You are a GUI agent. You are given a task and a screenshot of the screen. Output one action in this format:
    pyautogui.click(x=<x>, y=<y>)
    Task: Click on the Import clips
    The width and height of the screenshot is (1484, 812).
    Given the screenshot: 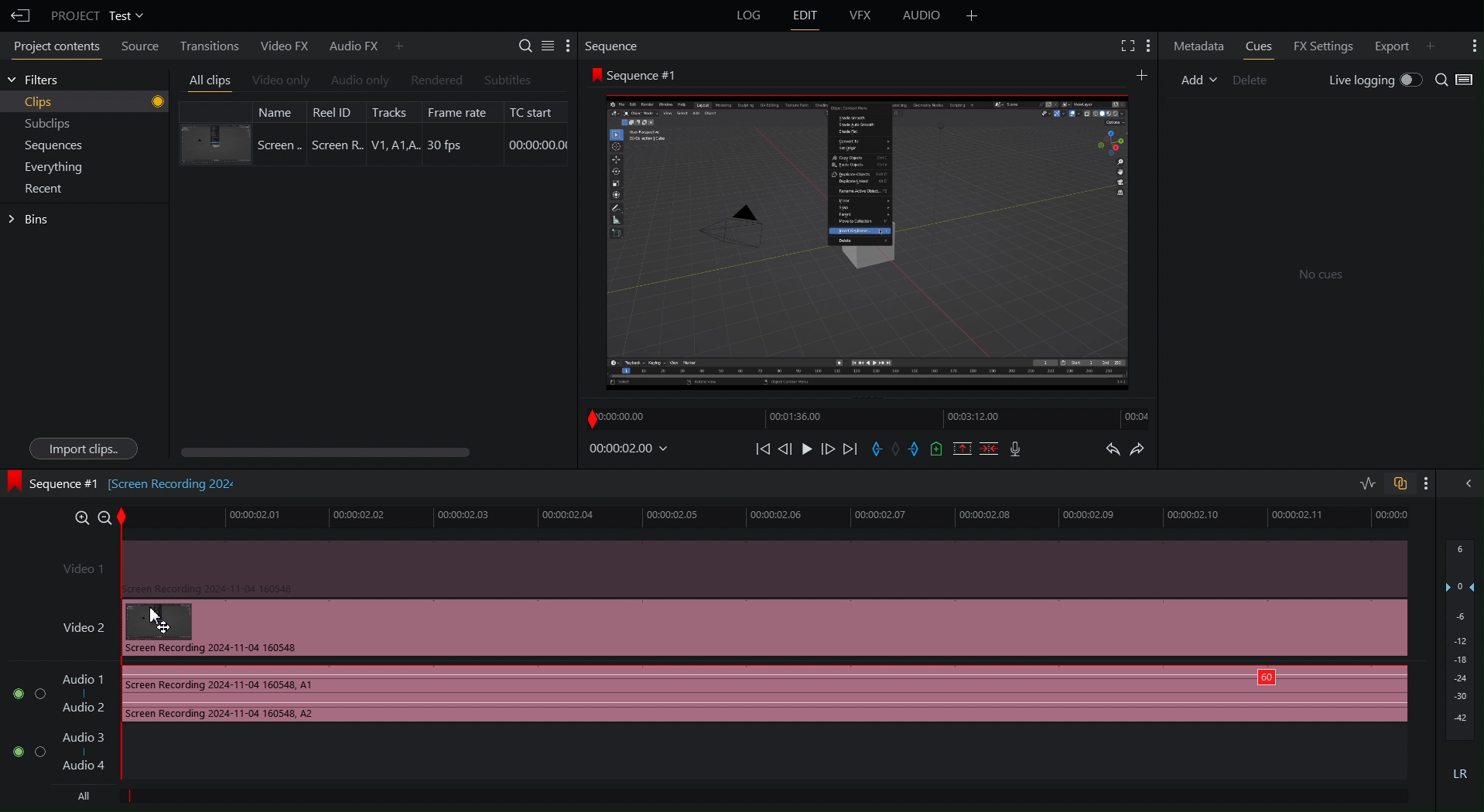 What is the action you would take?
    pyautogui.click(x=77, y=448)
    